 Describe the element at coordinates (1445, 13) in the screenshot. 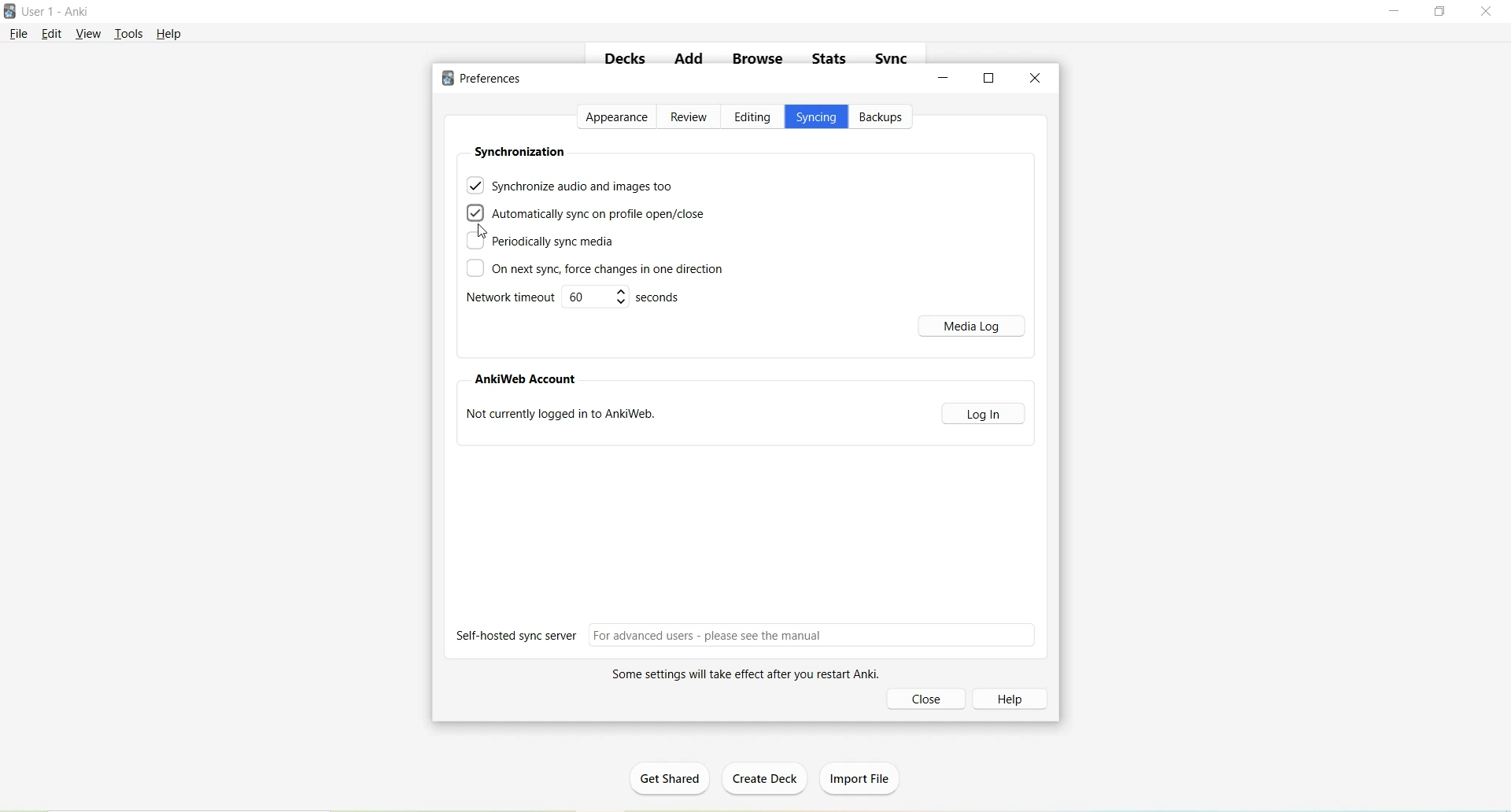

I see `Maximize` at that location.